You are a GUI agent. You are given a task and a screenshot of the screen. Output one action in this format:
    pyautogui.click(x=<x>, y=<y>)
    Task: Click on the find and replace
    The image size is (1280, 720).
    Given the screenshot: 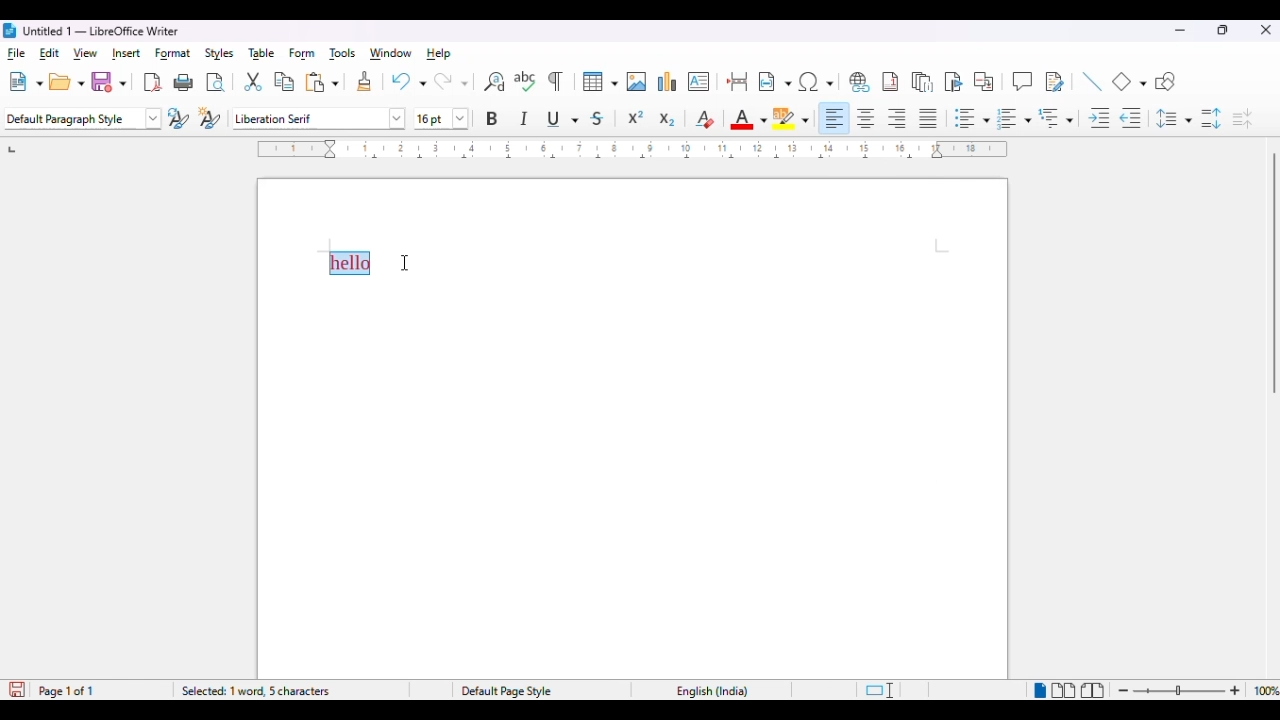 What is the action you would take?
    pyautogui.click(x=495, y=82)
    